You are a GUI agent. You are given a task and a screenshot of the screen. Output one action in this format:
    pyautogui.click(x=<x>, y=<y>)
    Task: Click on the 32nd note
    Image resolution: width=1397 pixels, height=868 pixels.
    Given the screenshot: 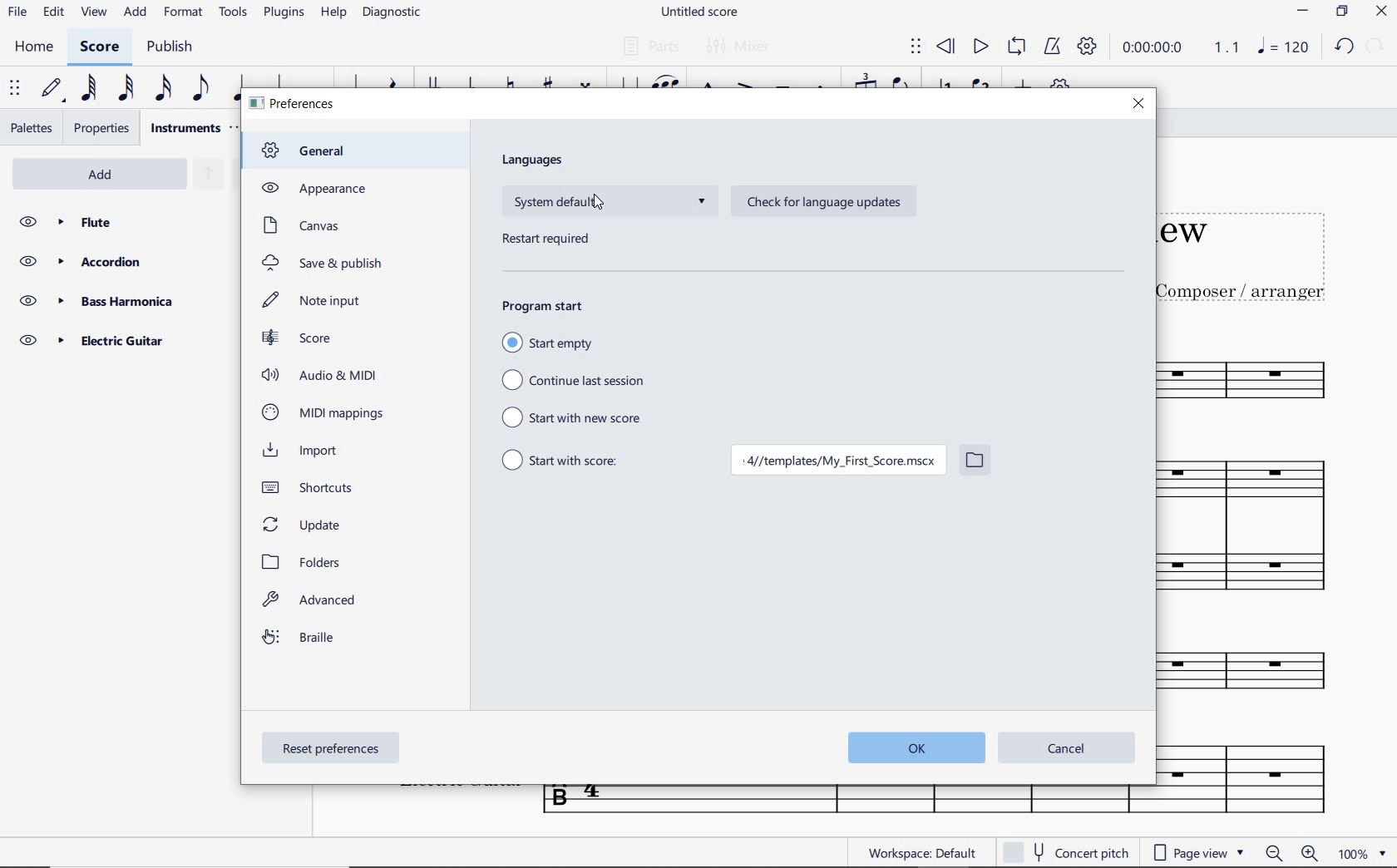 What is the action you would take?
    pyautogui.click(x=123, y=89)
    